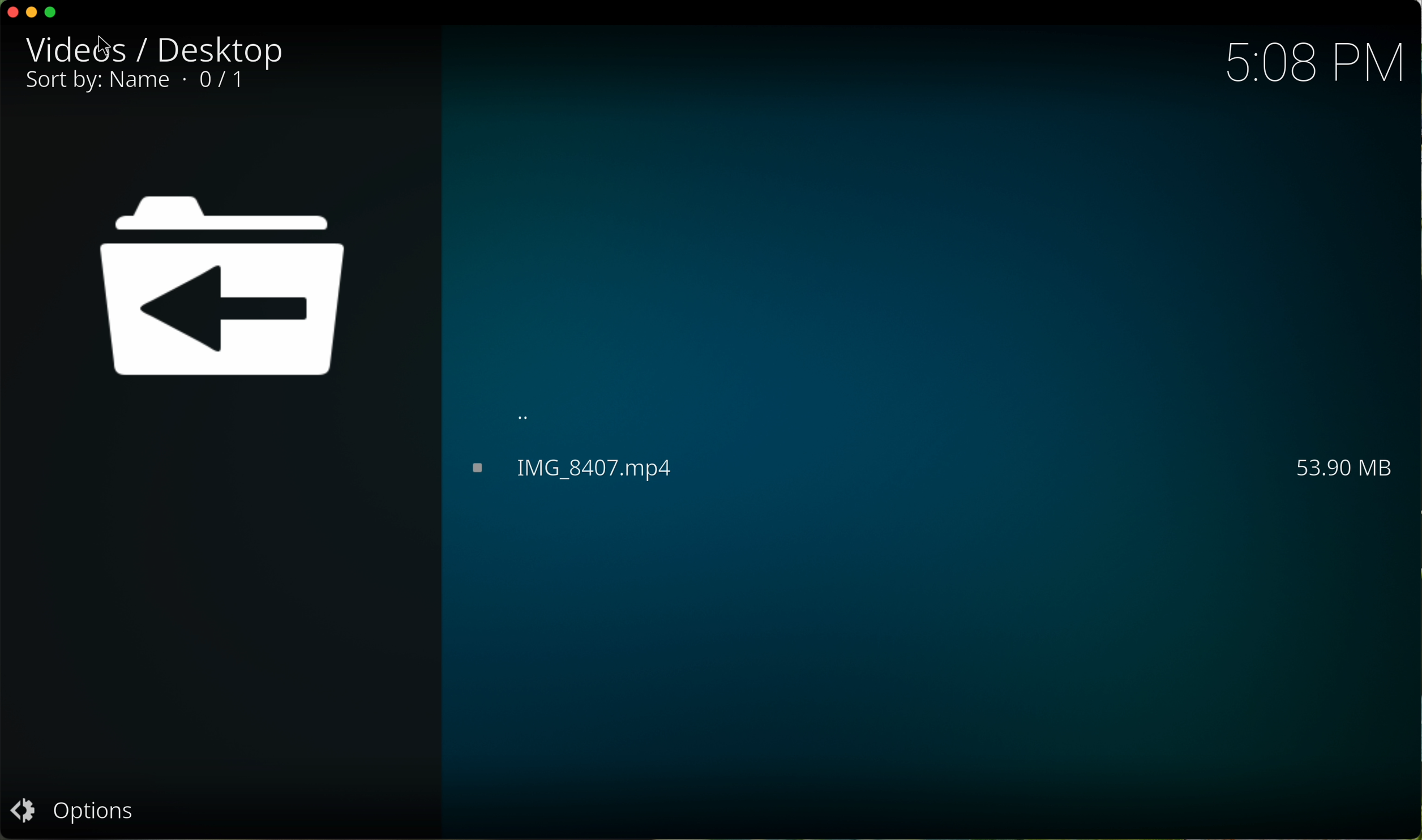 Image resolution: width=1422 pixels, height=840 pixels. I want to click on size, so click(1317, 465).